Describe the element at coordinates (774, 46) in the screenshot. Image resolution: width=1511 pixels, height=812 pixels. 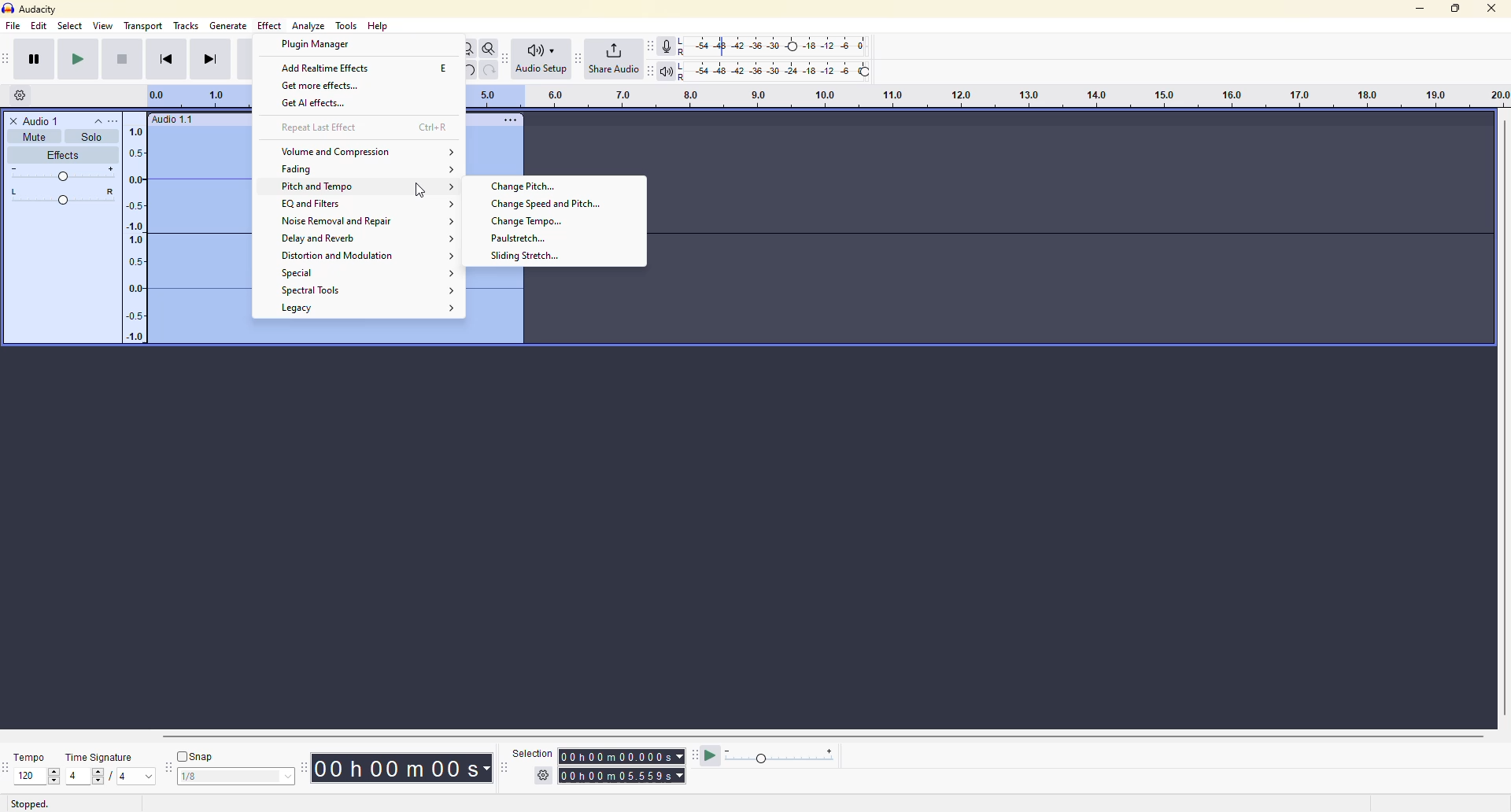
I see `recording level` at that location.